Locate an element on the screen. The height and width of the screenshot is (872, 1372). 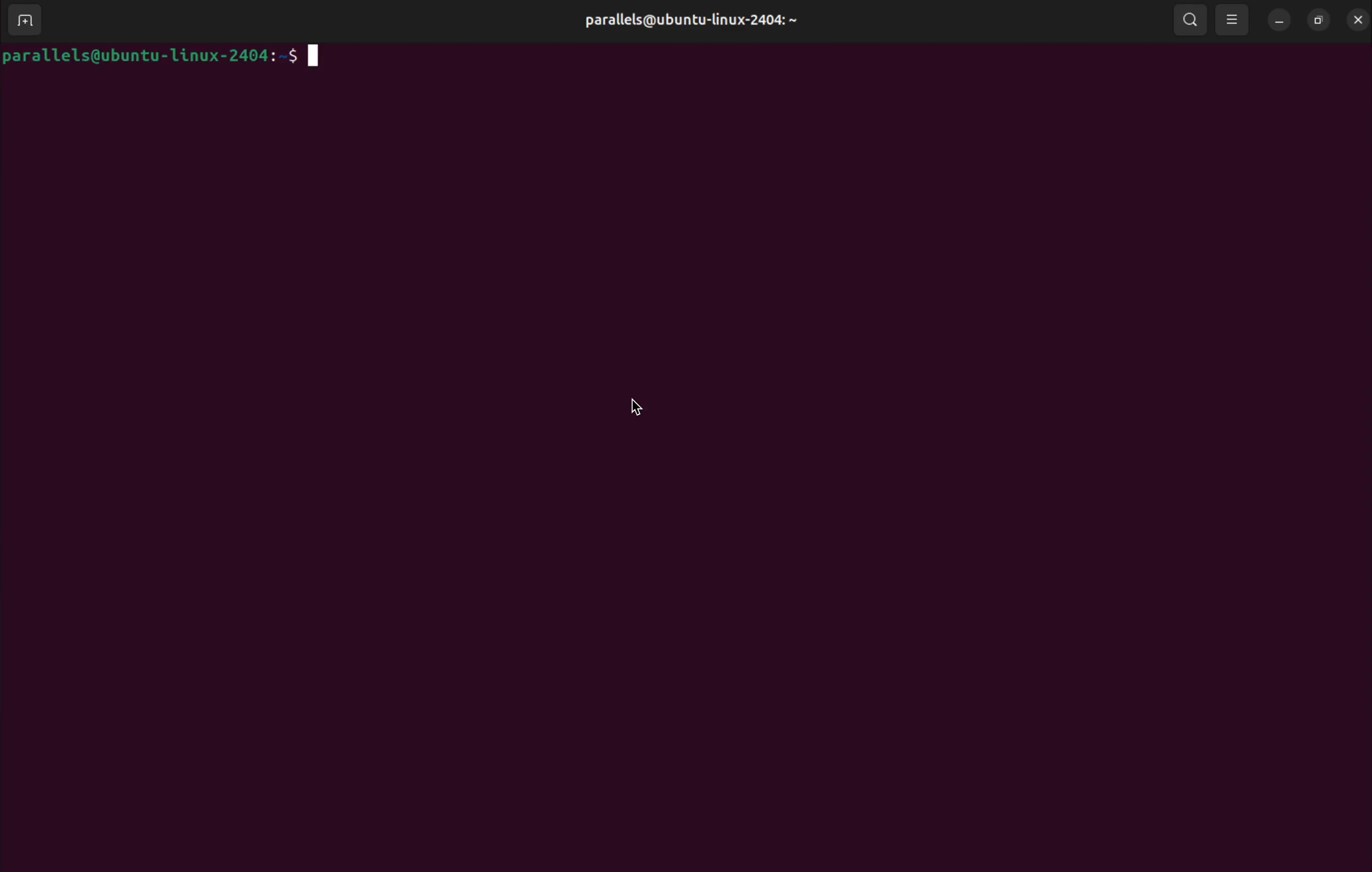
resize is located at coordinates (1317, 21).